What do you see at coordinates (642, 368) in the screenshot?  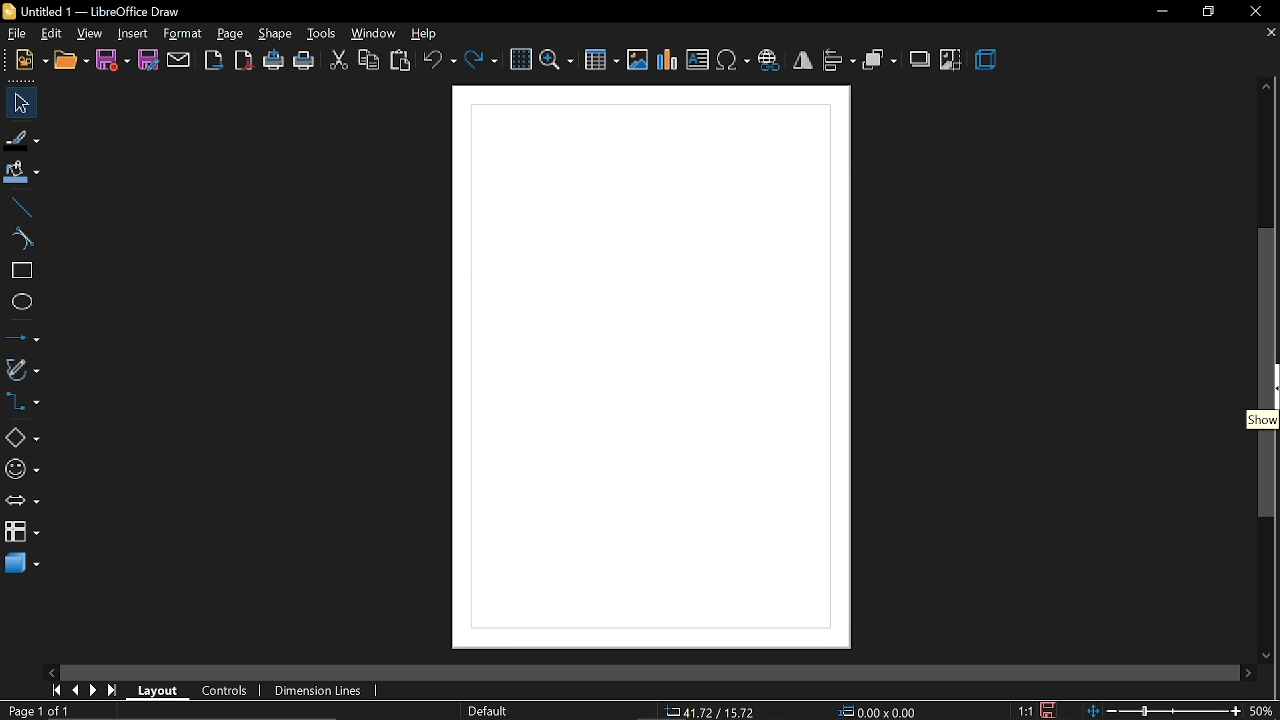 I see `Canvas` at bounding box center [642, 368].